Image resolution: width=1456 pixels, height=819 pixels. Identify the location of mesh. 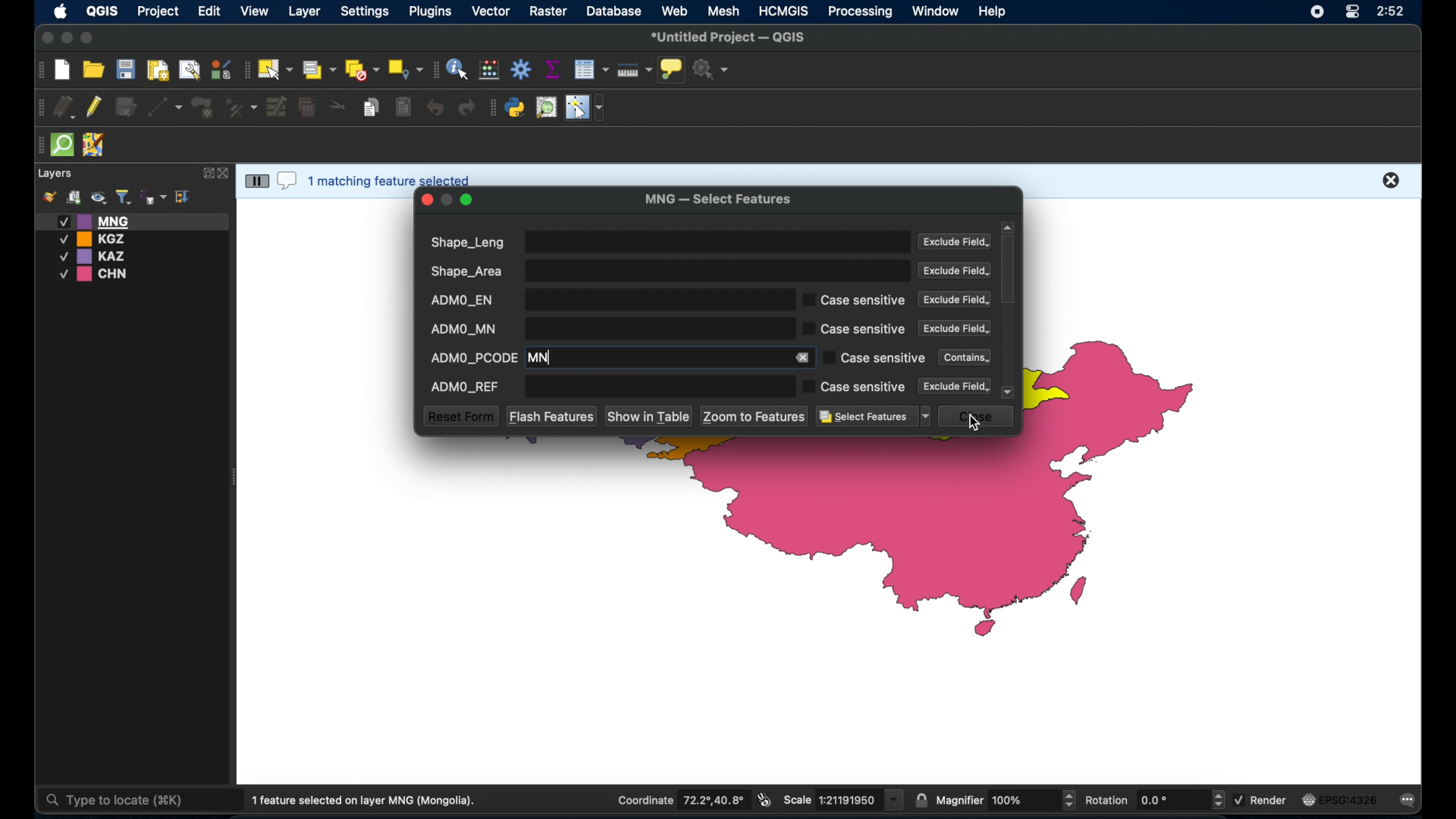
(725, 11).